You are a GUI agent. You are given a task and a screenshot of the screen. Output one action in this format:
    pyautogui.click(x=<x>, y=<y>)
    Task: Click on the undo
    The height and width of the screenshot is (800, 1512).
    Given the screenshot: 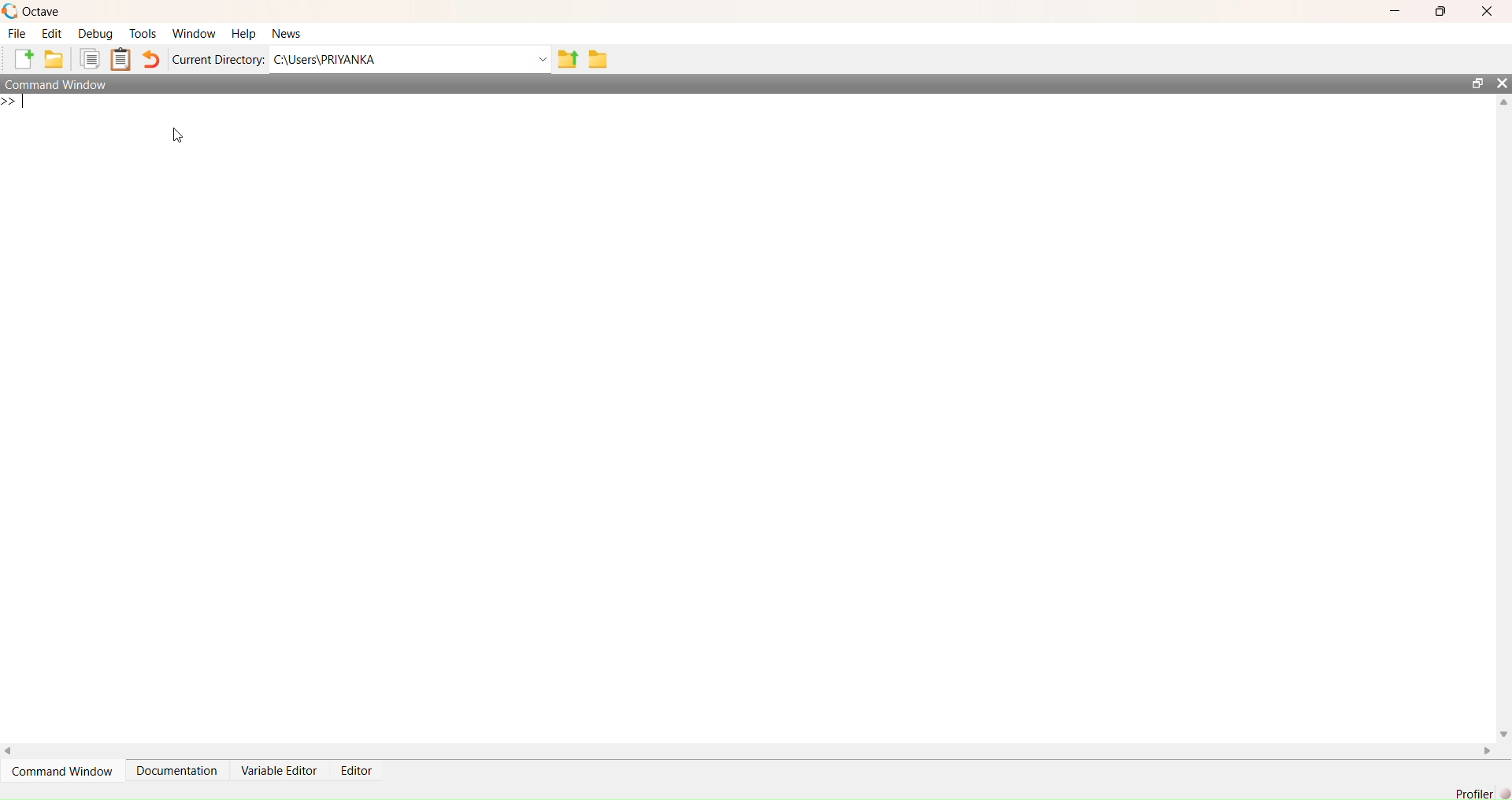 What is the action you would take?
    pyautogui.click(x=154, y=59)
    